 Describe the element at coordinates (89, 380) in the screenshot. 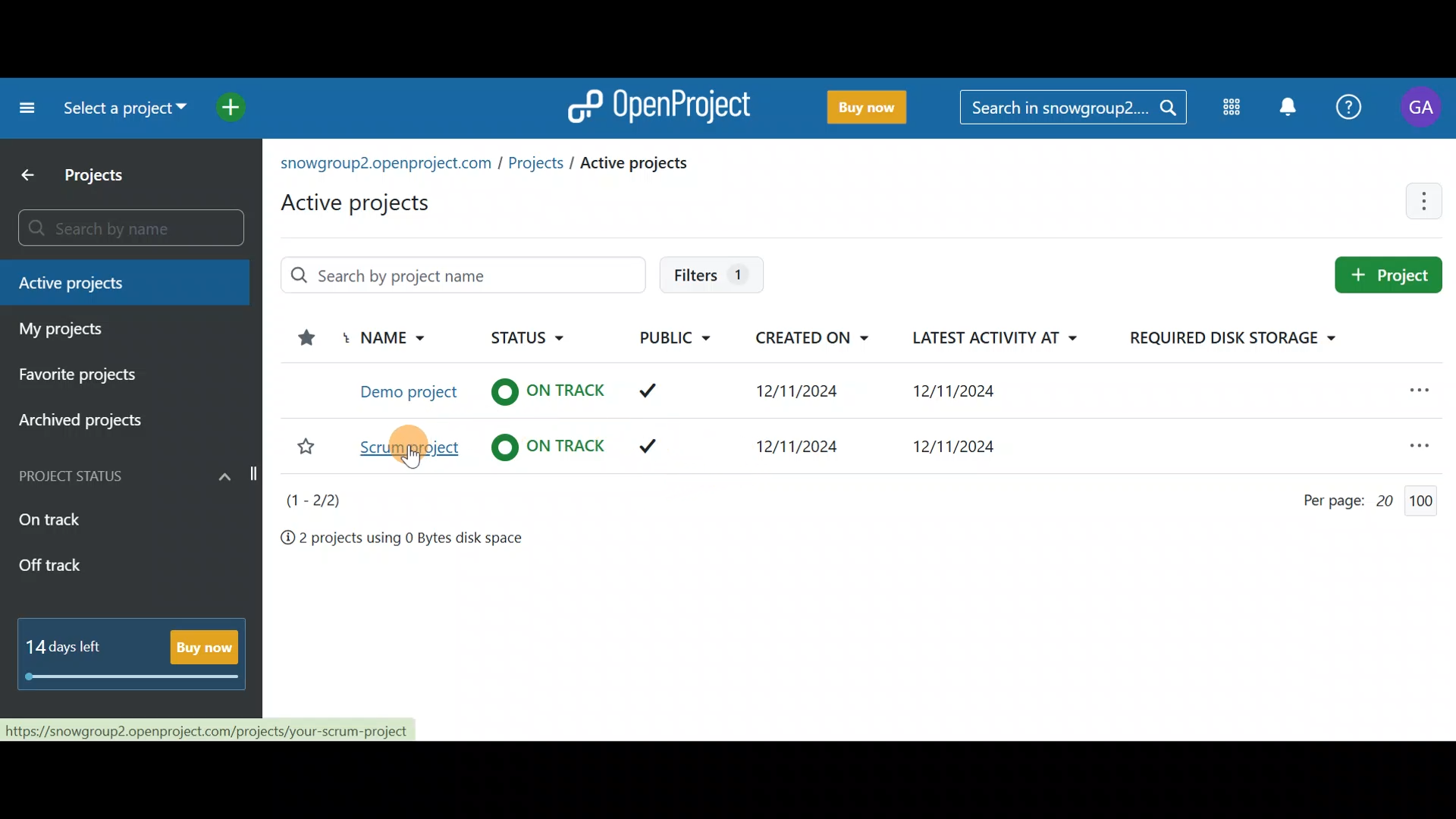

I see `Favorite projects` at that location.